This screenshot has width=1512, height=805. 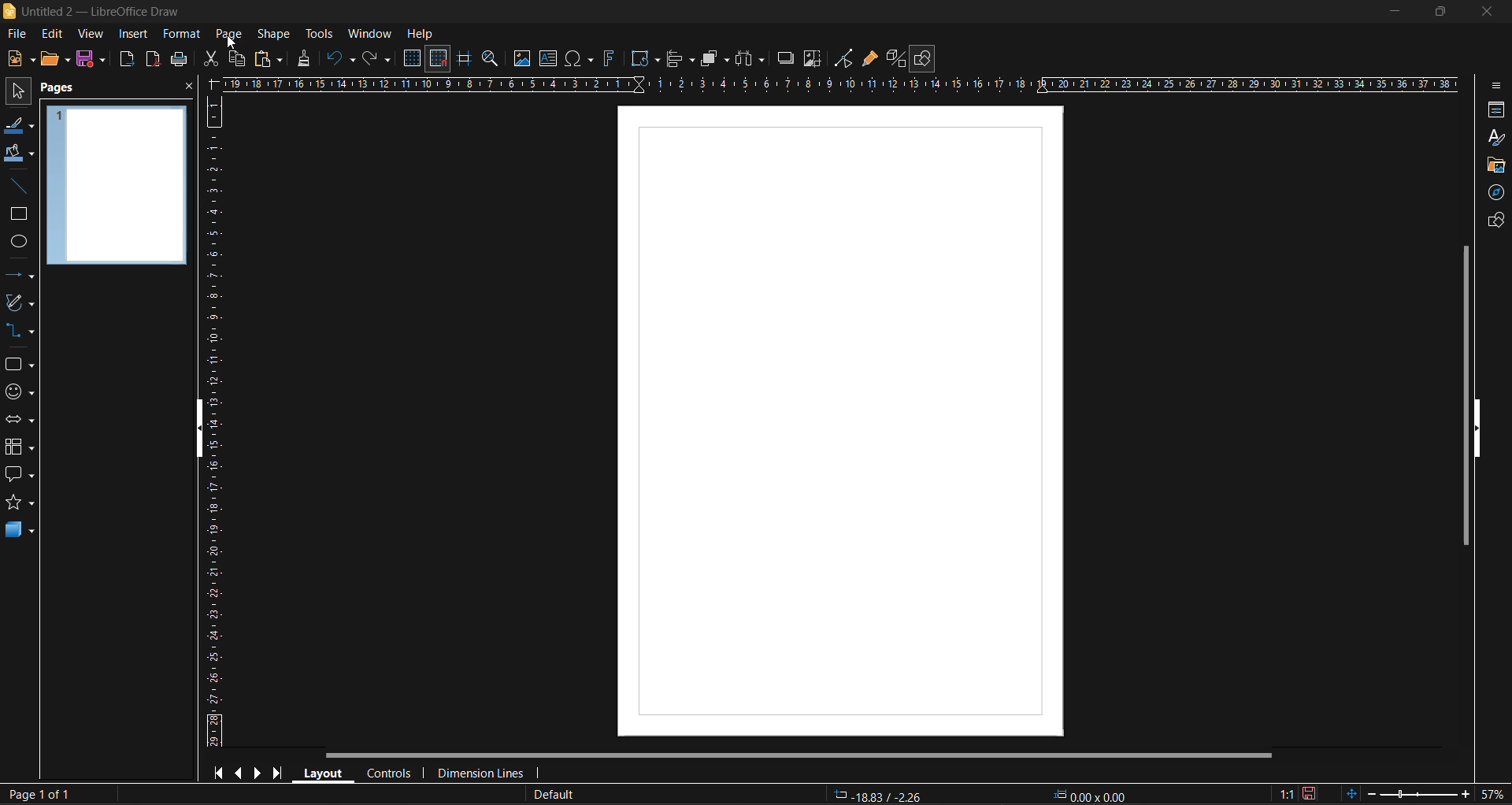 I want to click on paste, so click(x=267, y=60).